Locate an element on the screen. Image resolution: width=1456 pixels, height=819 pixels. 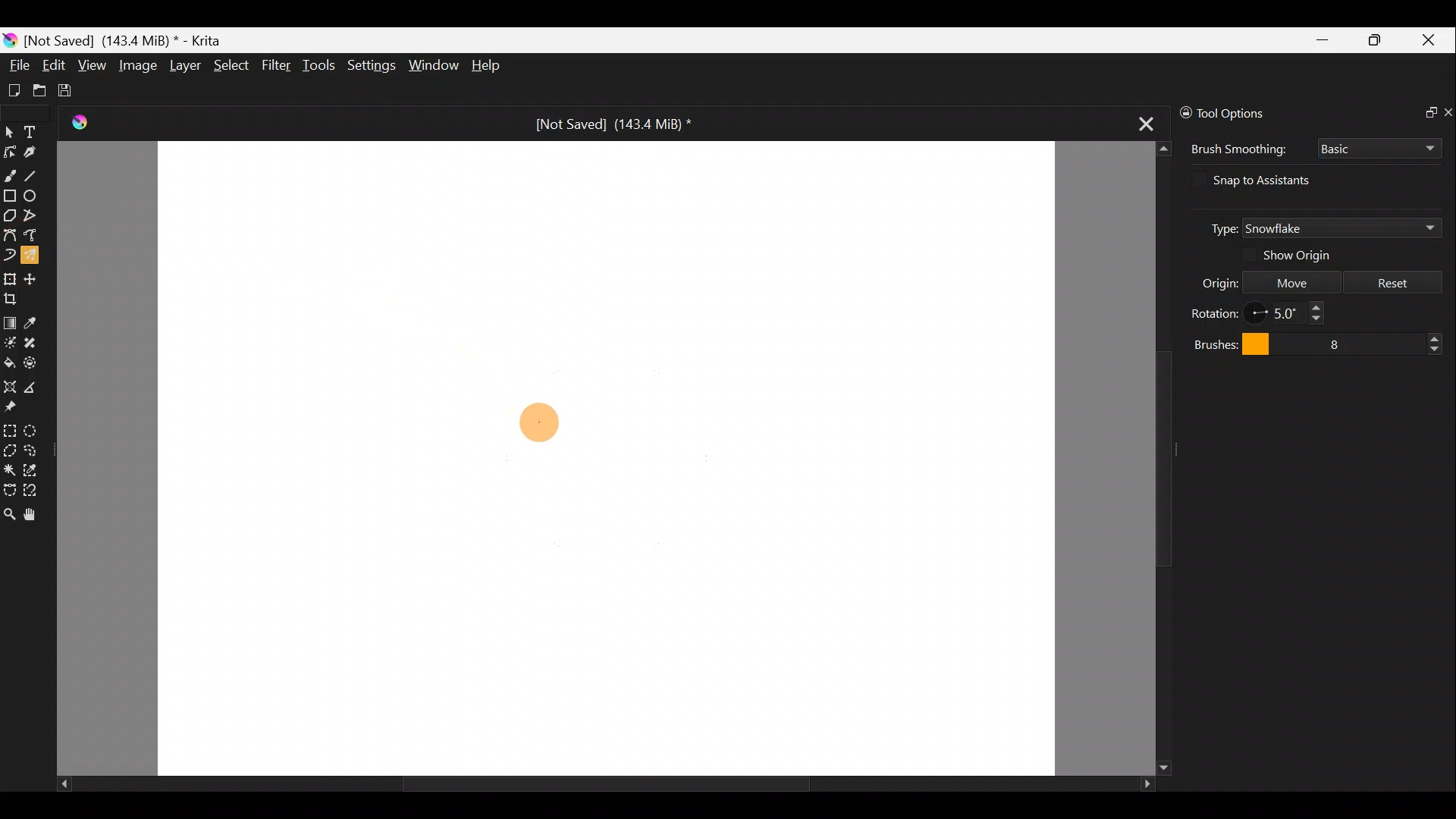
Reset is located at coordinates (1393, 281).